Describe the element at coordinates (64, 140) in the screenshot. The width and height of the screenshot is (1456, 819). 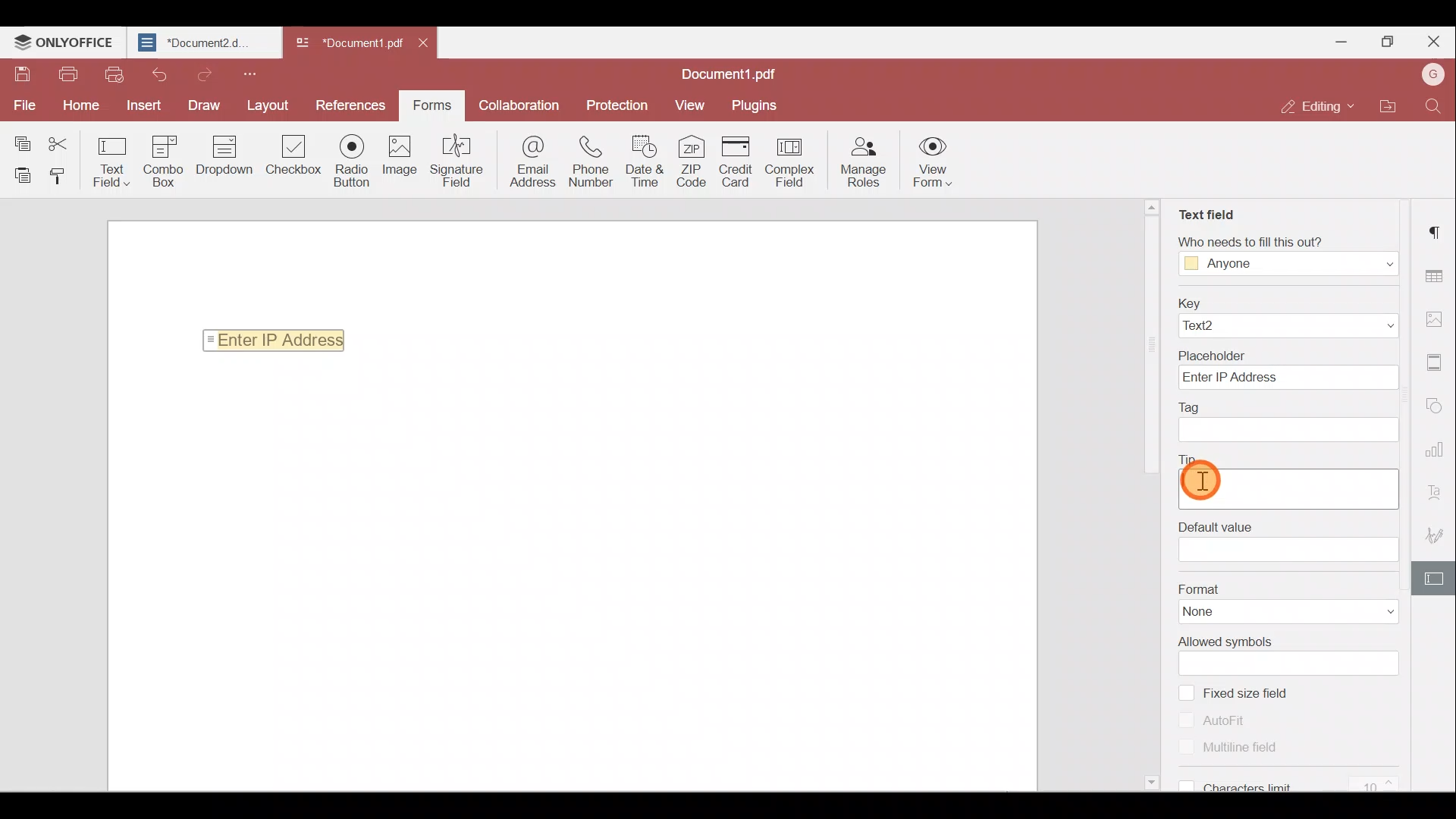
I see `Cut` at that location.